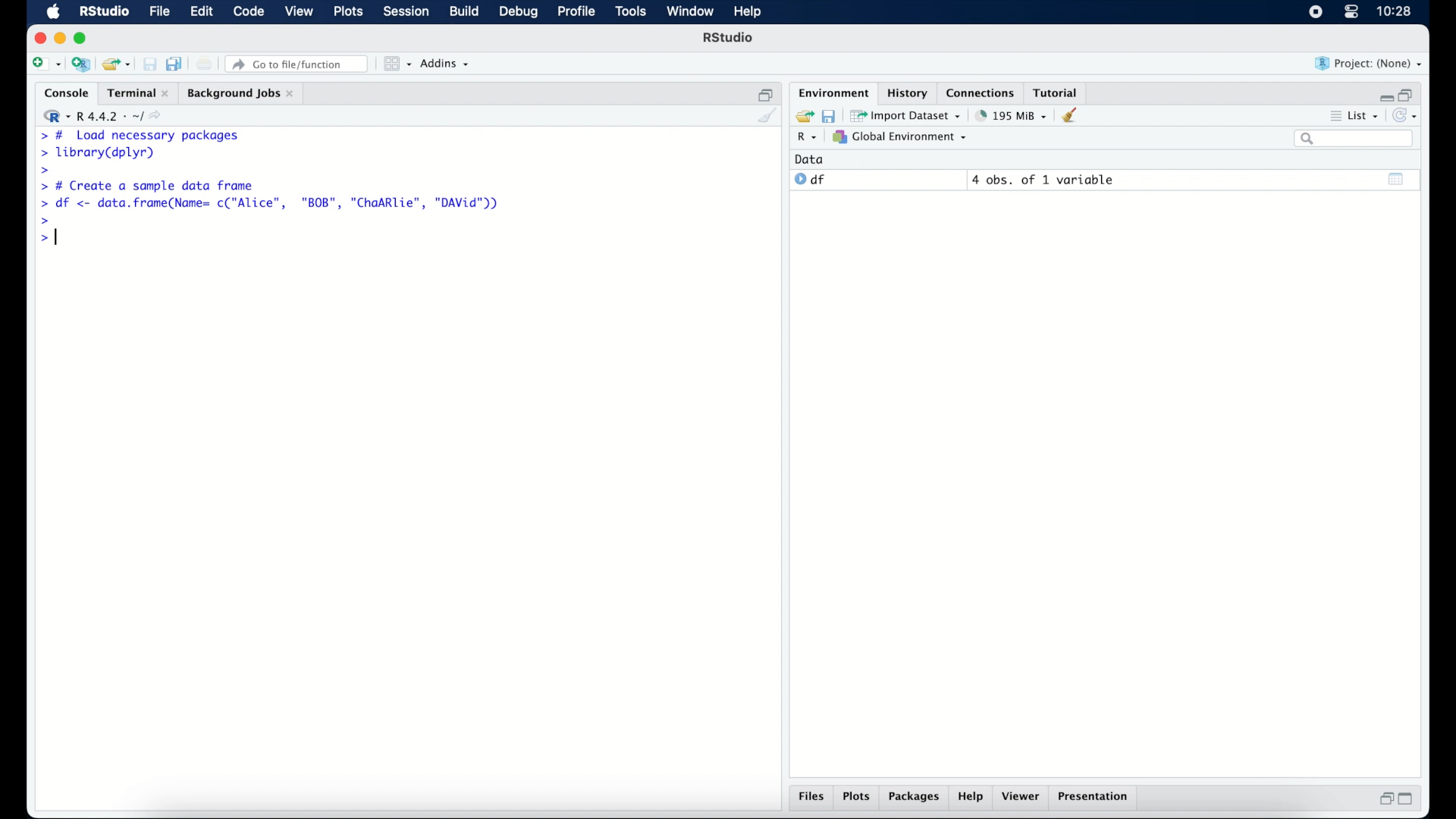 The image size is (1456, 819). Describe the element at coordinates (1353, 118) in the screenshot. I see `list` at that location.